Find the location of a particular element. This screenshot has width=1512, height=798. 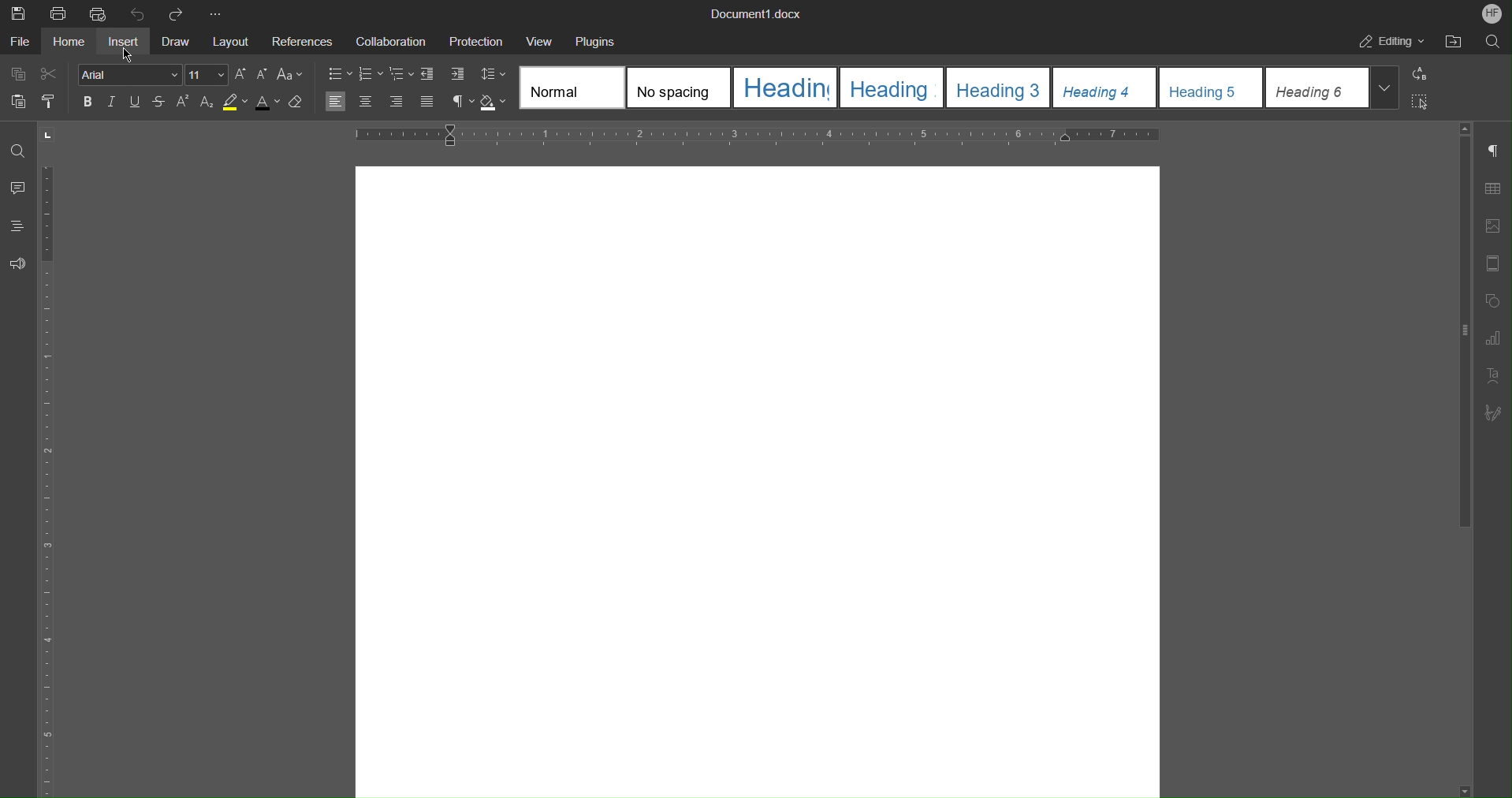

More headings is located at coordinates (1388, 91).